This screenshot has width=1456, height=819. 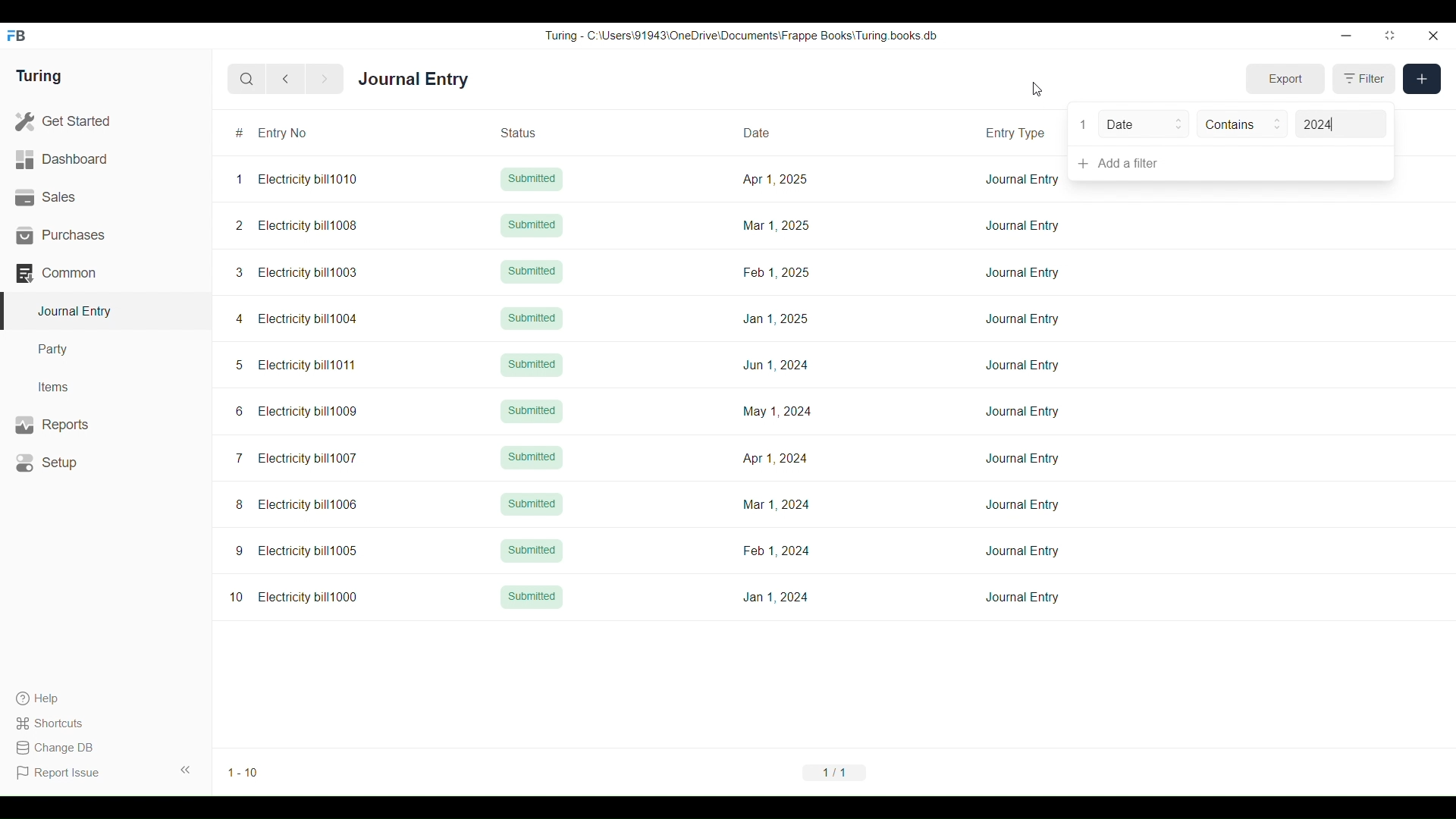 I want to click on 1 Electricity bill1010, so click(x=297, y=179).